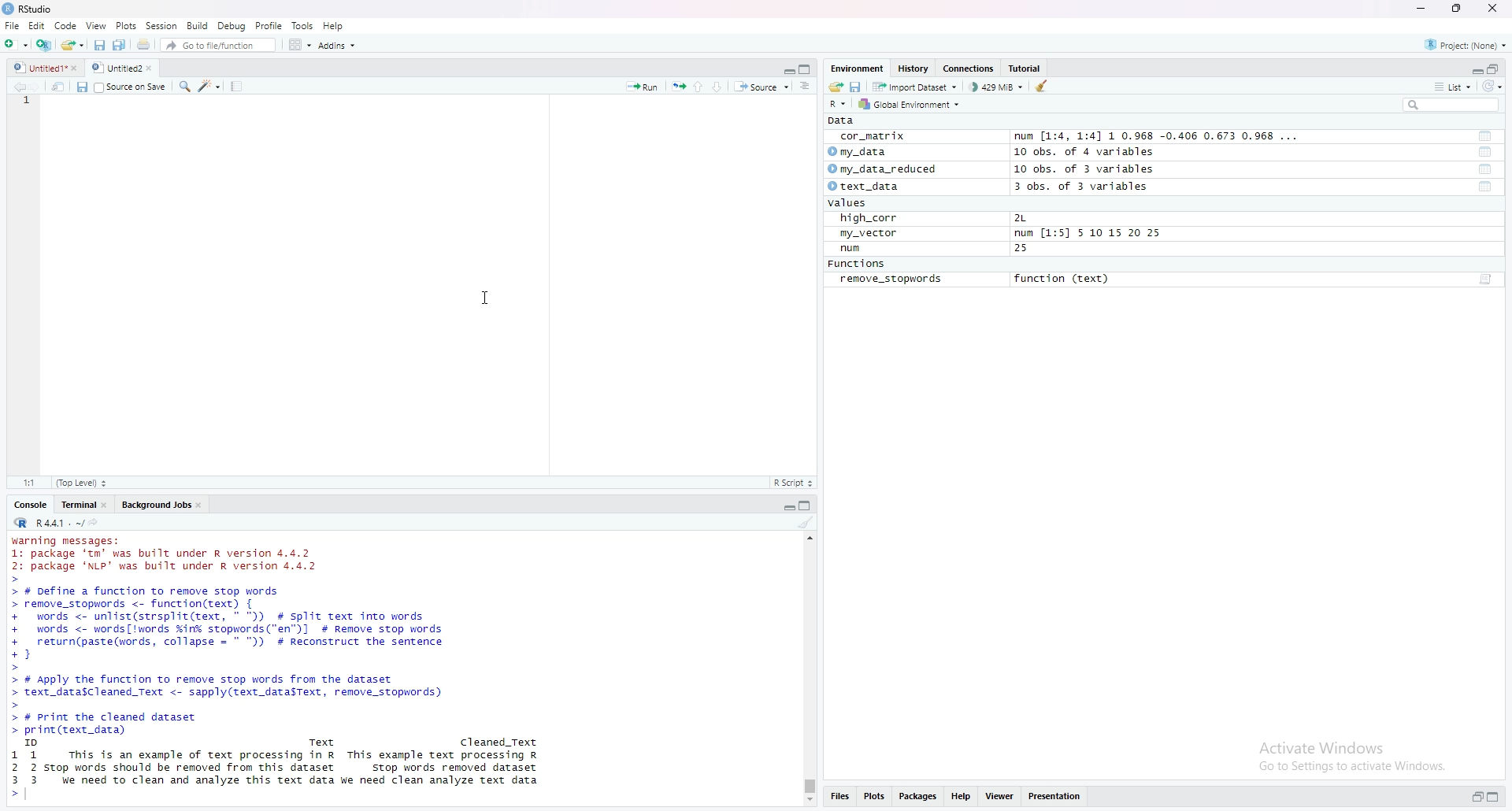 The width and height of the screenshot is (1512, 811). I want to click on my_data_reduced, so click(887, 170).